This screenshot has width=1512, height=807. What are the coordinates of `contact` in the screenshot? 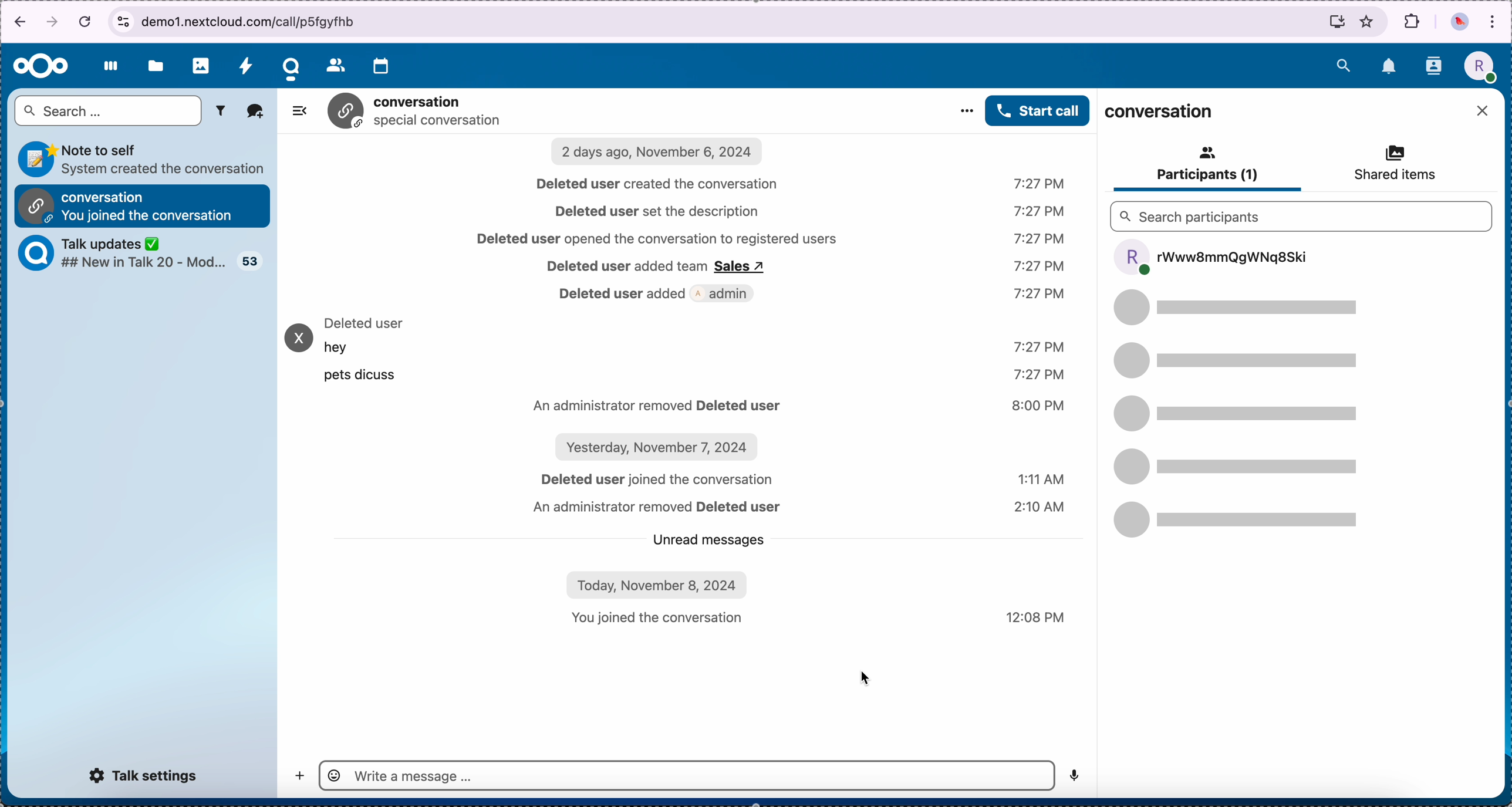 It's located at (298, 340).